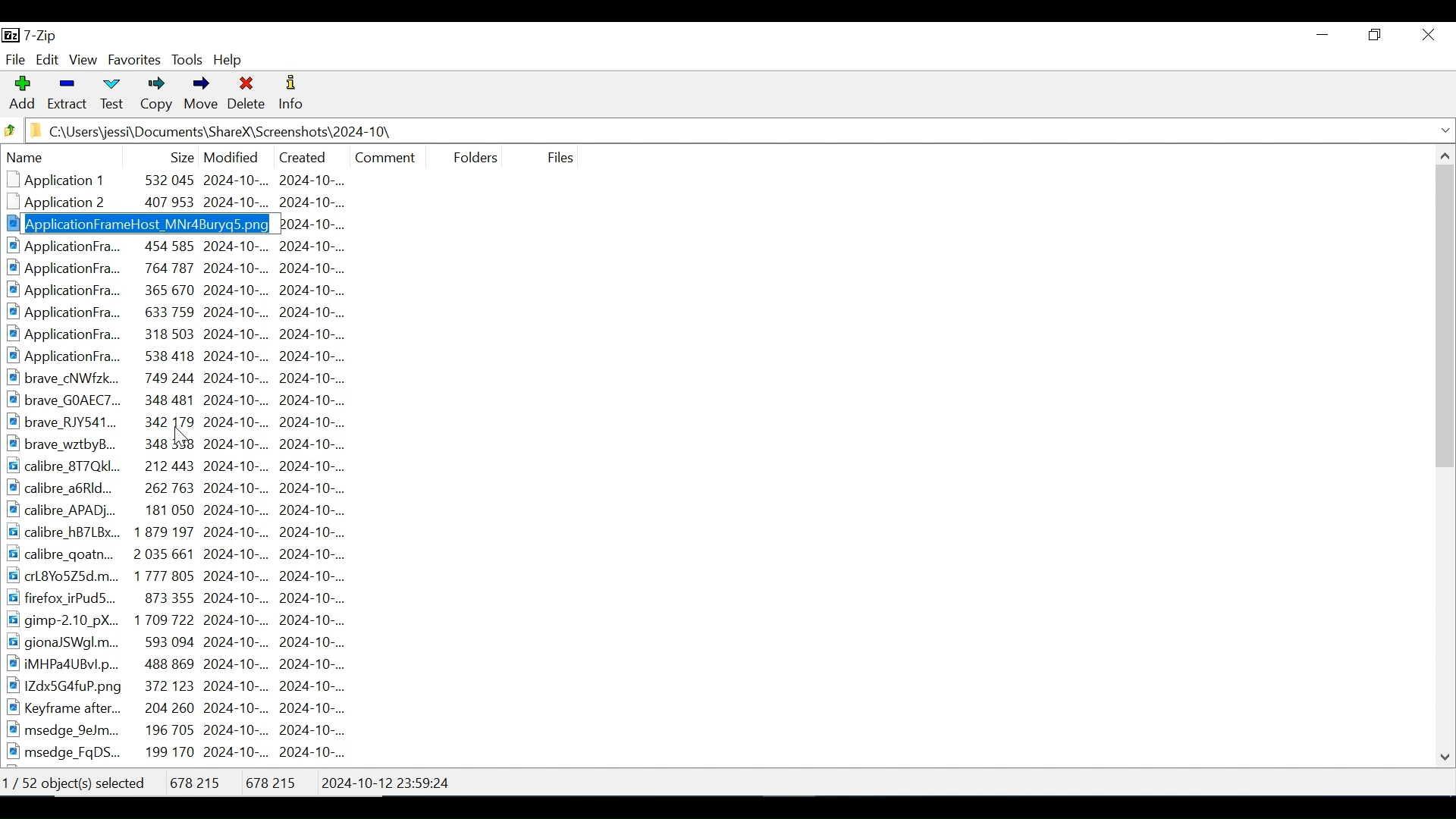 Image resolution: width=1456 pixels, height=819 pixels. What do you see at coordinates (195, 443) in the screenshot?
I see ` brave_wztbyB... 348 338 2024-10-... 2024-10-...` at bounding box center [195, 443].